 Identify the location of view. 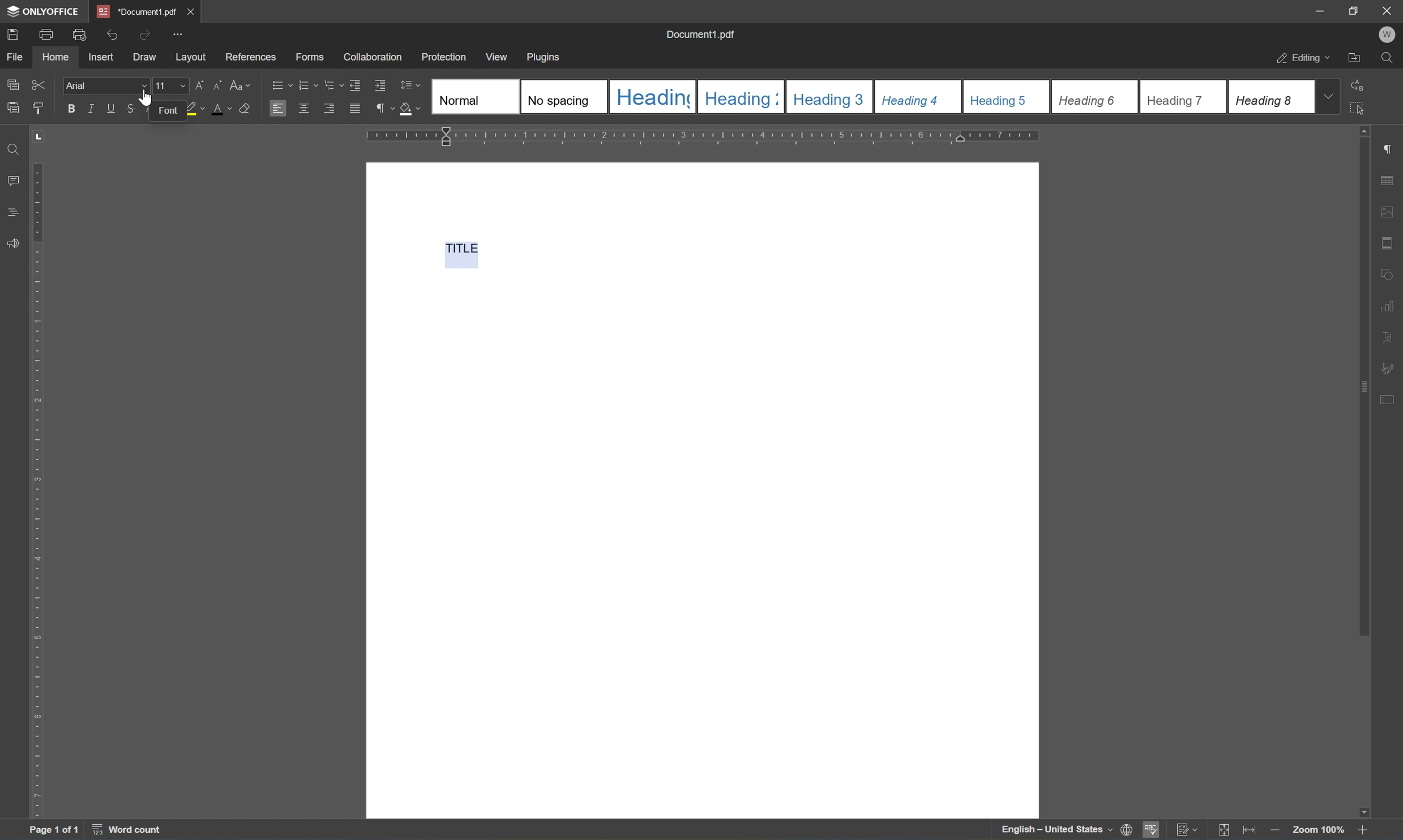
(495, 57).